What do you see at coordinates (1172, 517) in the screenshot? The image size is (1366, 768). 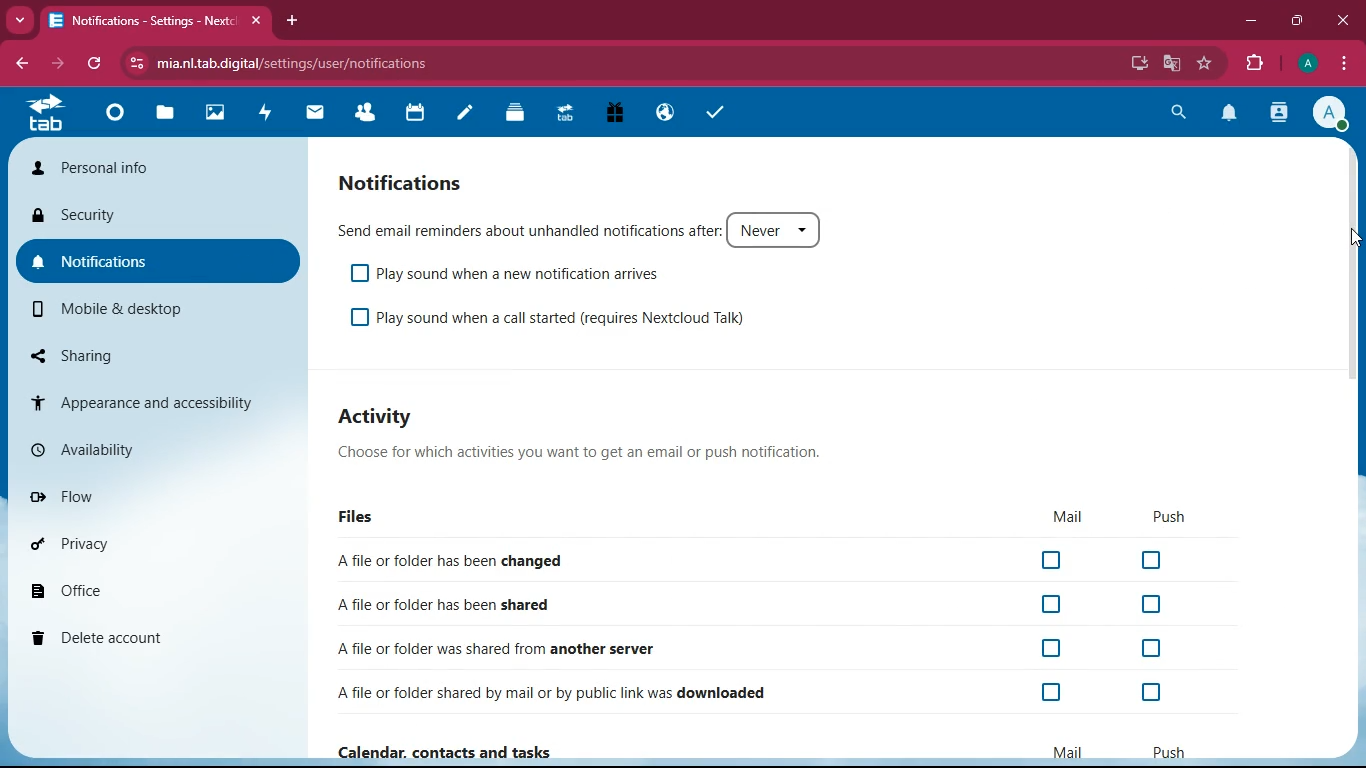 I see `push` at bounding box center [1172, 517].